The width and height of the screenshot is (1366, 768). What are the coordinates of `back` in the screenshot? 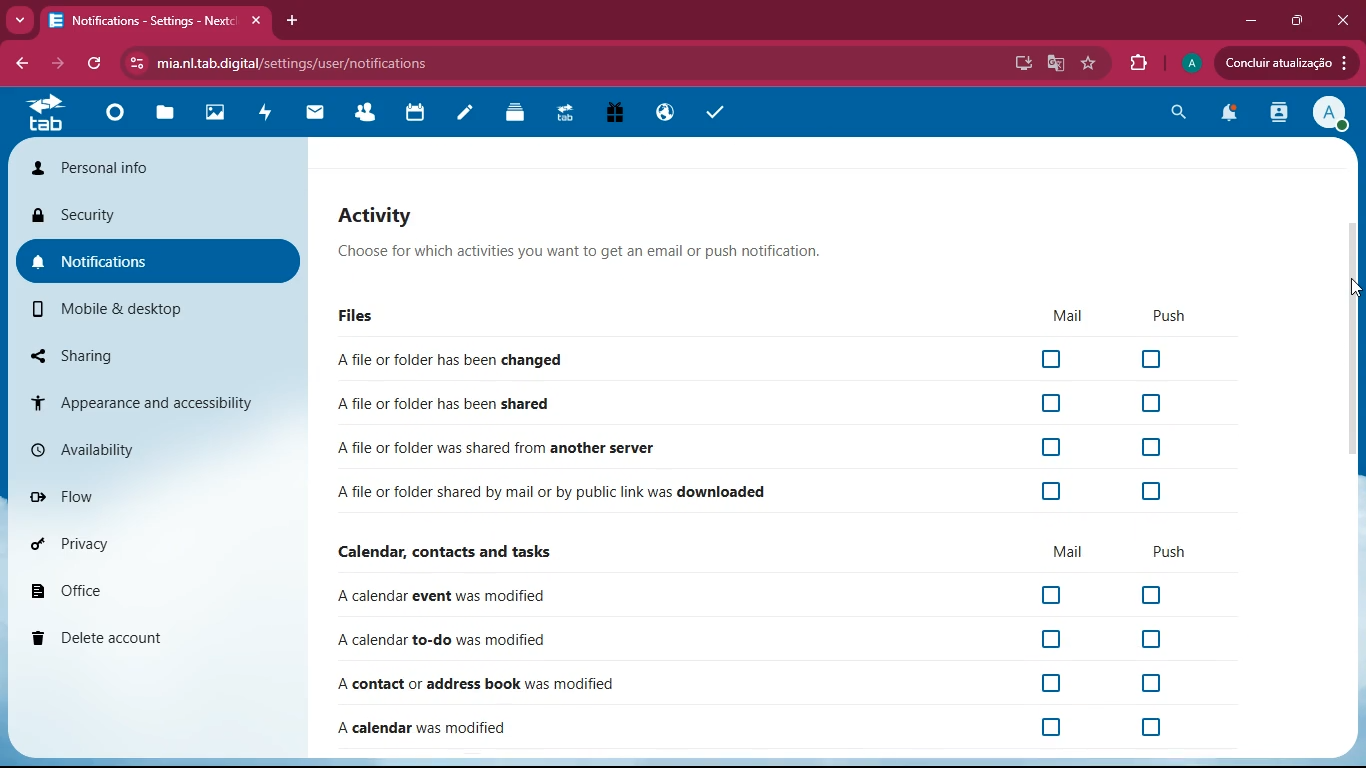 It's located at (19, 64).